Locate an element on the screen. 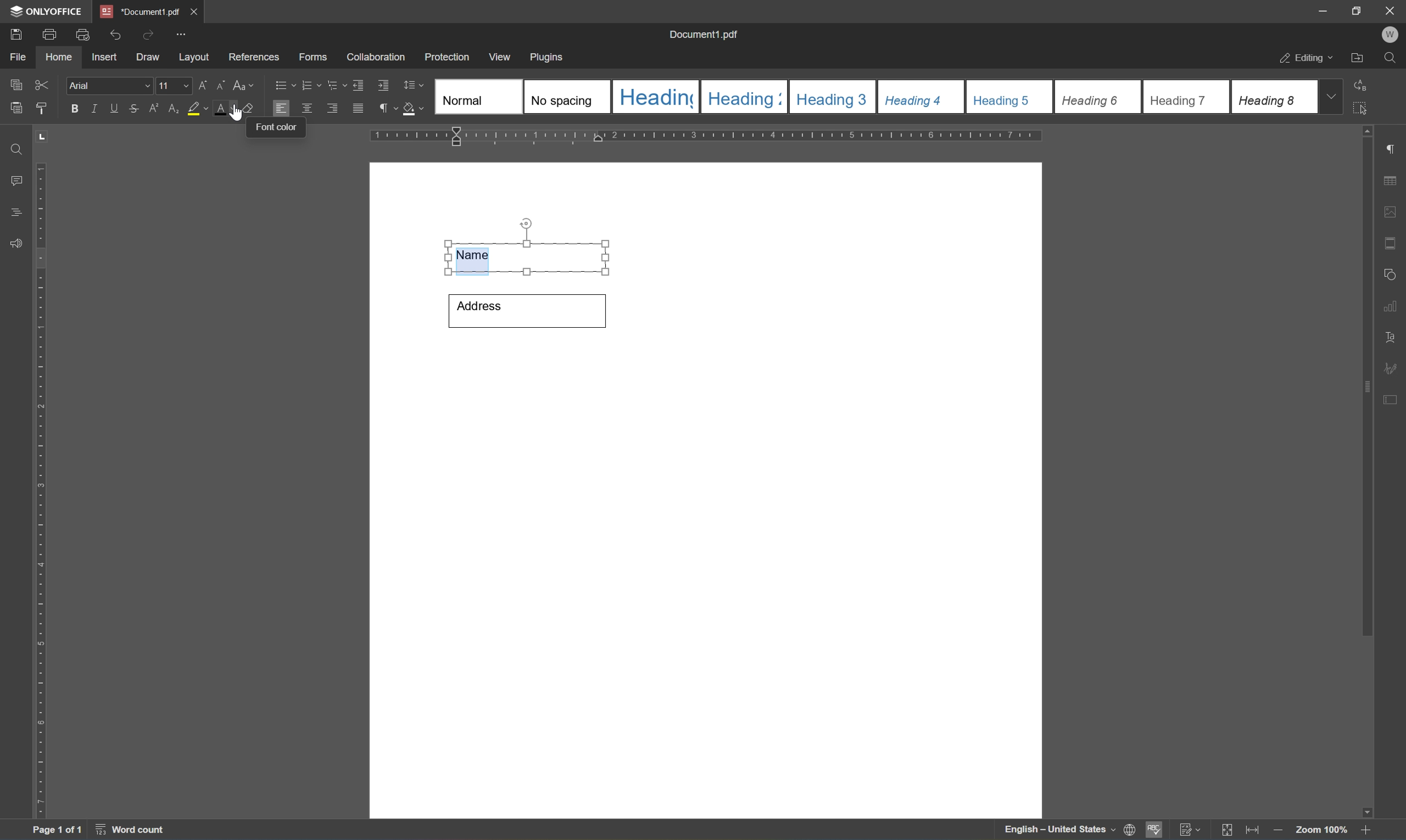 Image resolution: width=1406 pixels, height=840 pixels. fit to page is located at coordinates (1228, 830).